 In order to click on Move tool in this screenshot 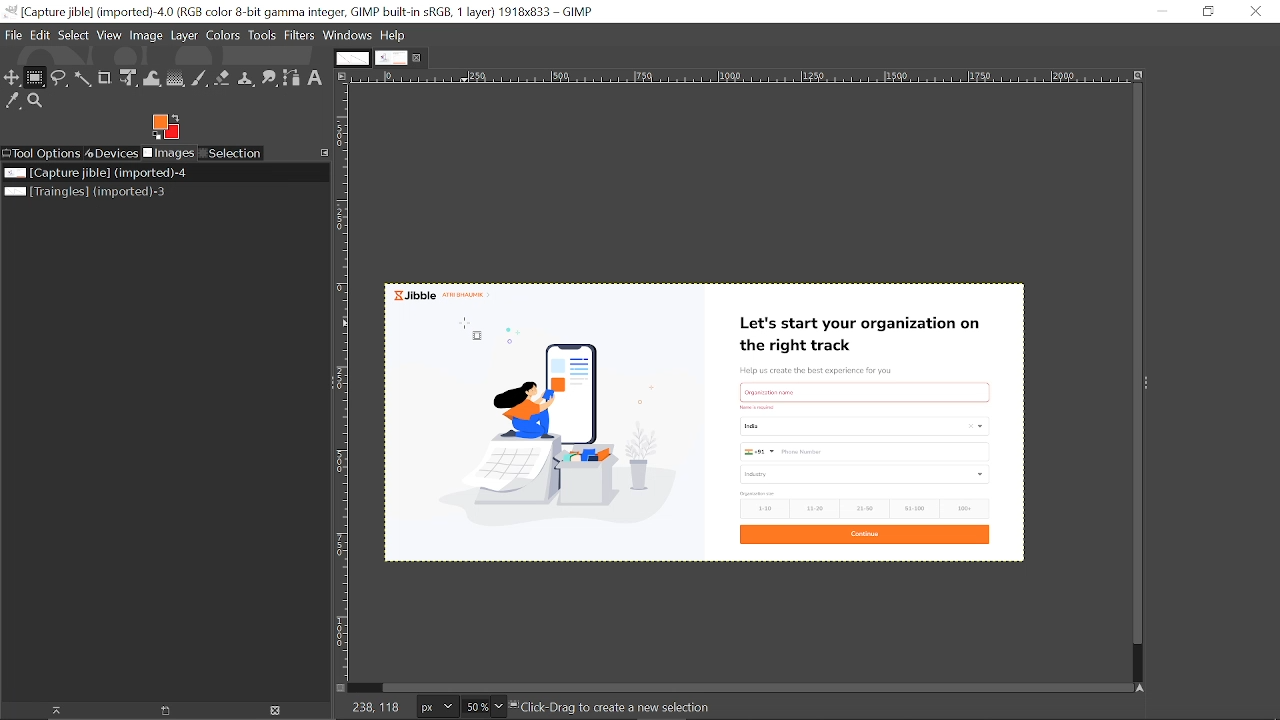, I will do `click(13, 78)`.